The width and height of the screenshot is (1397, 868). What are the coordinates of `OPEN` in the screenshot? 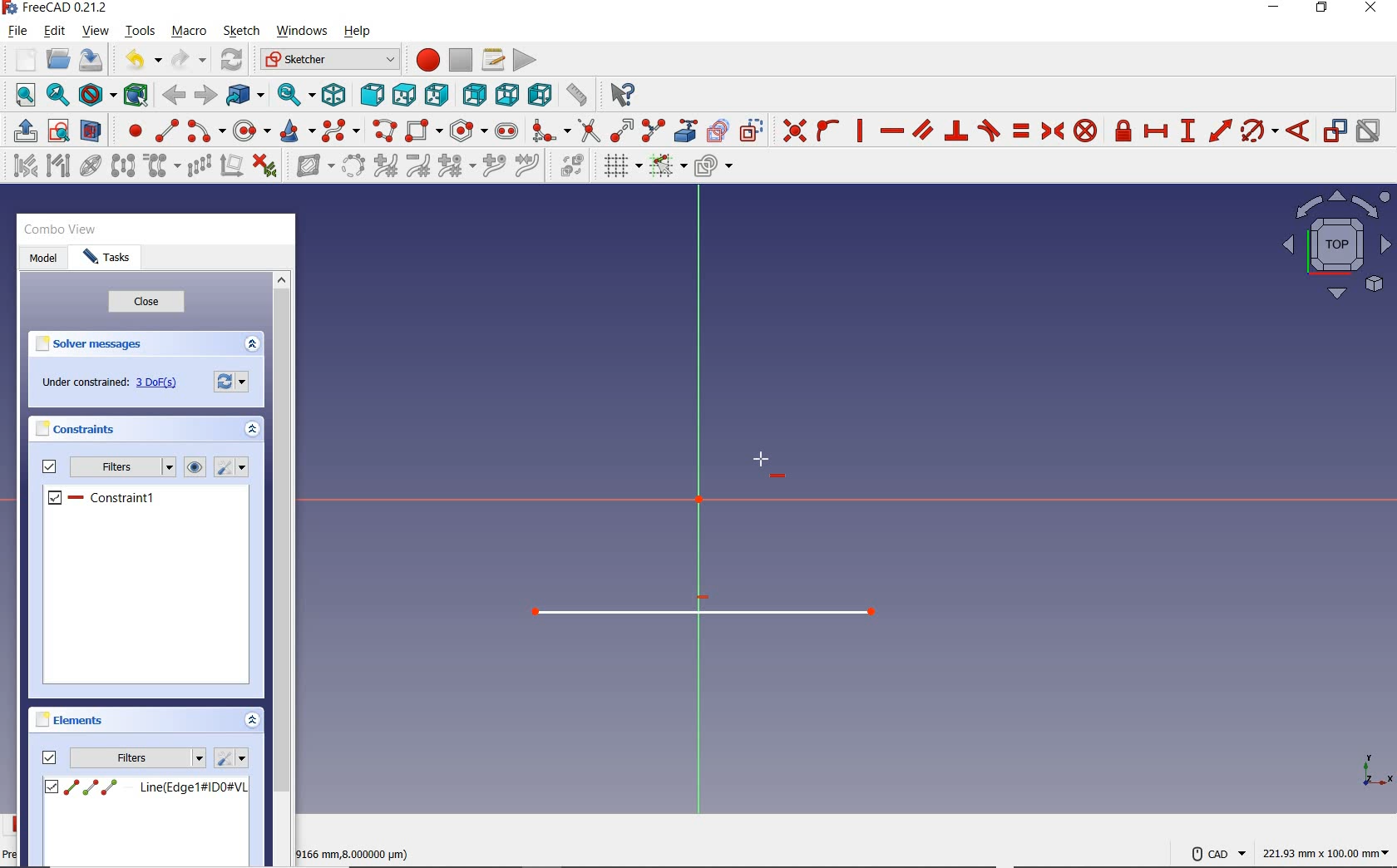 It's located at (58, 59).